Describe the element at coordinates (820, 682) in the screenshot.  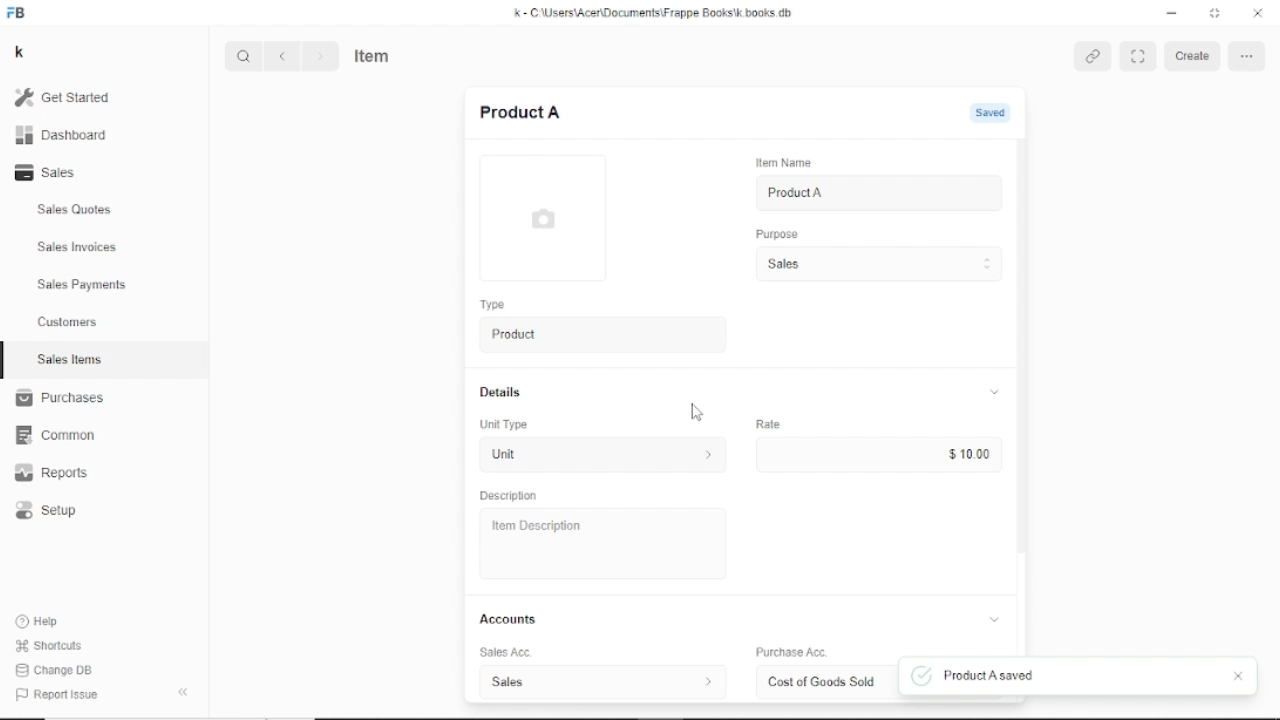
I see `Cost of Goods Sold` at that location.